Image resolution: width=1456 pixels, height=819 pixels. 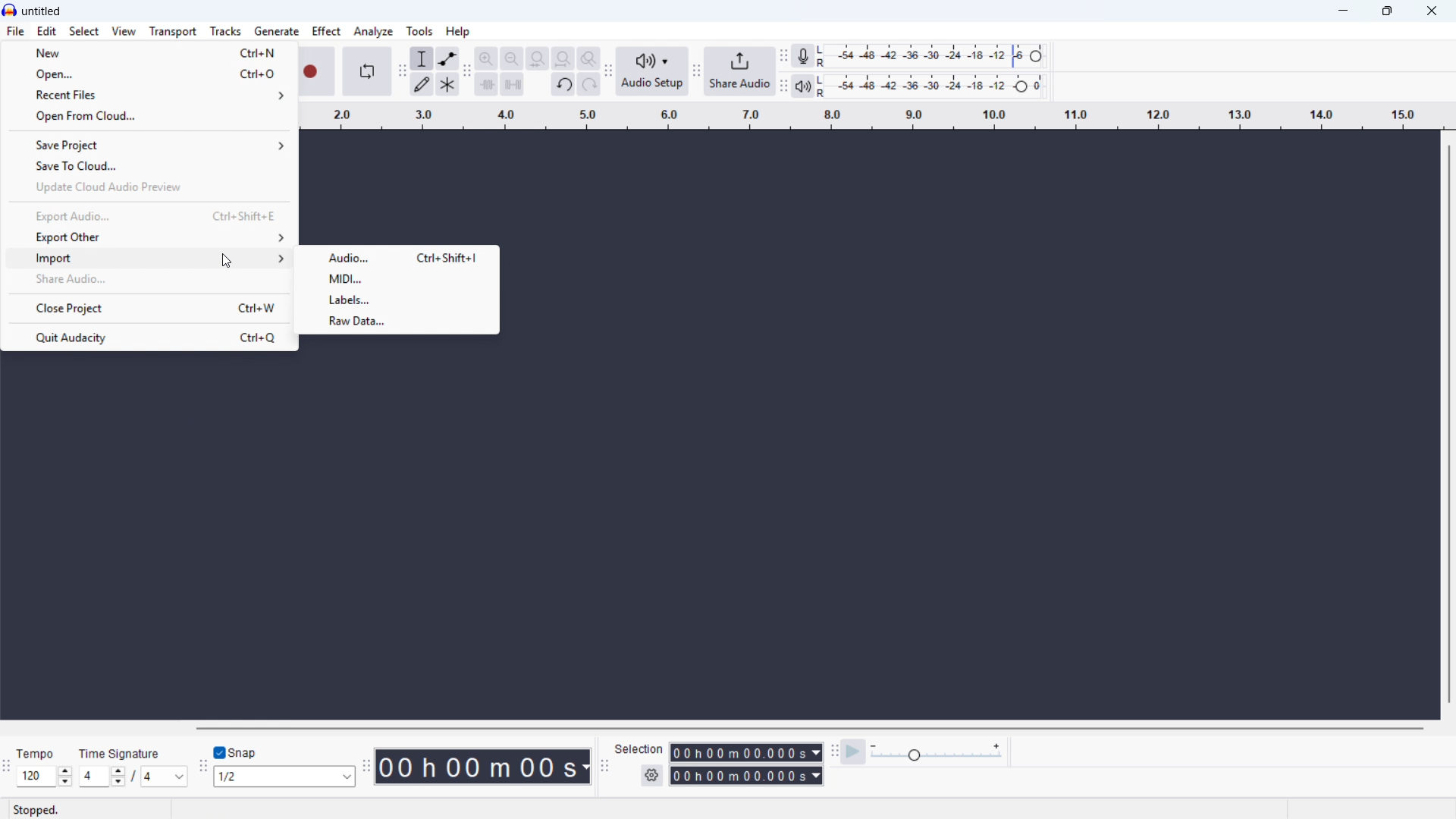 What do you see at coordinates (588, 58) in the screenshot?
I see `Toggle zoom ` at bounding box center [588, 58].